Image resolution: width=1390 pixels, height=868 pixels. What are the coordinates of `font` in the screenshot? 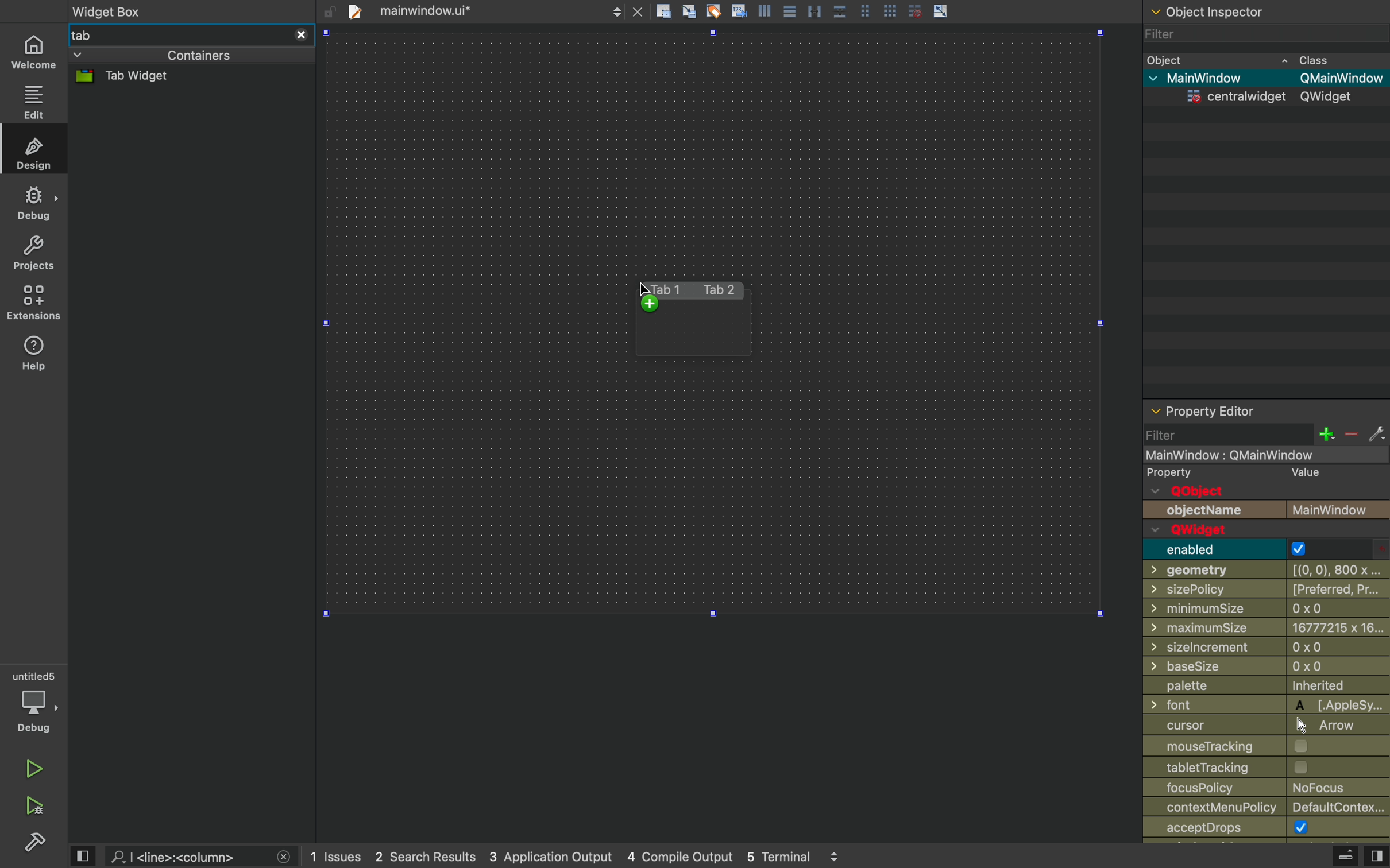 It's located at (1266, 706).